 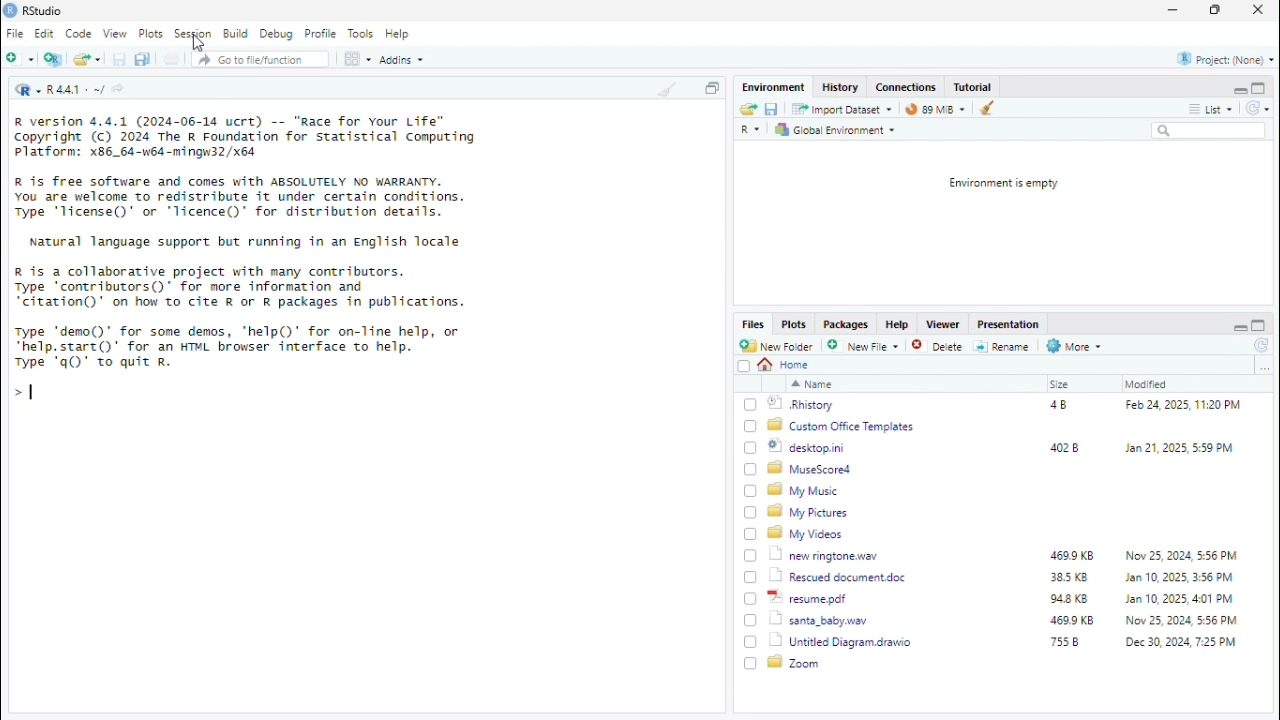 I want to click on Checkbox, so click(x=750, y=620).